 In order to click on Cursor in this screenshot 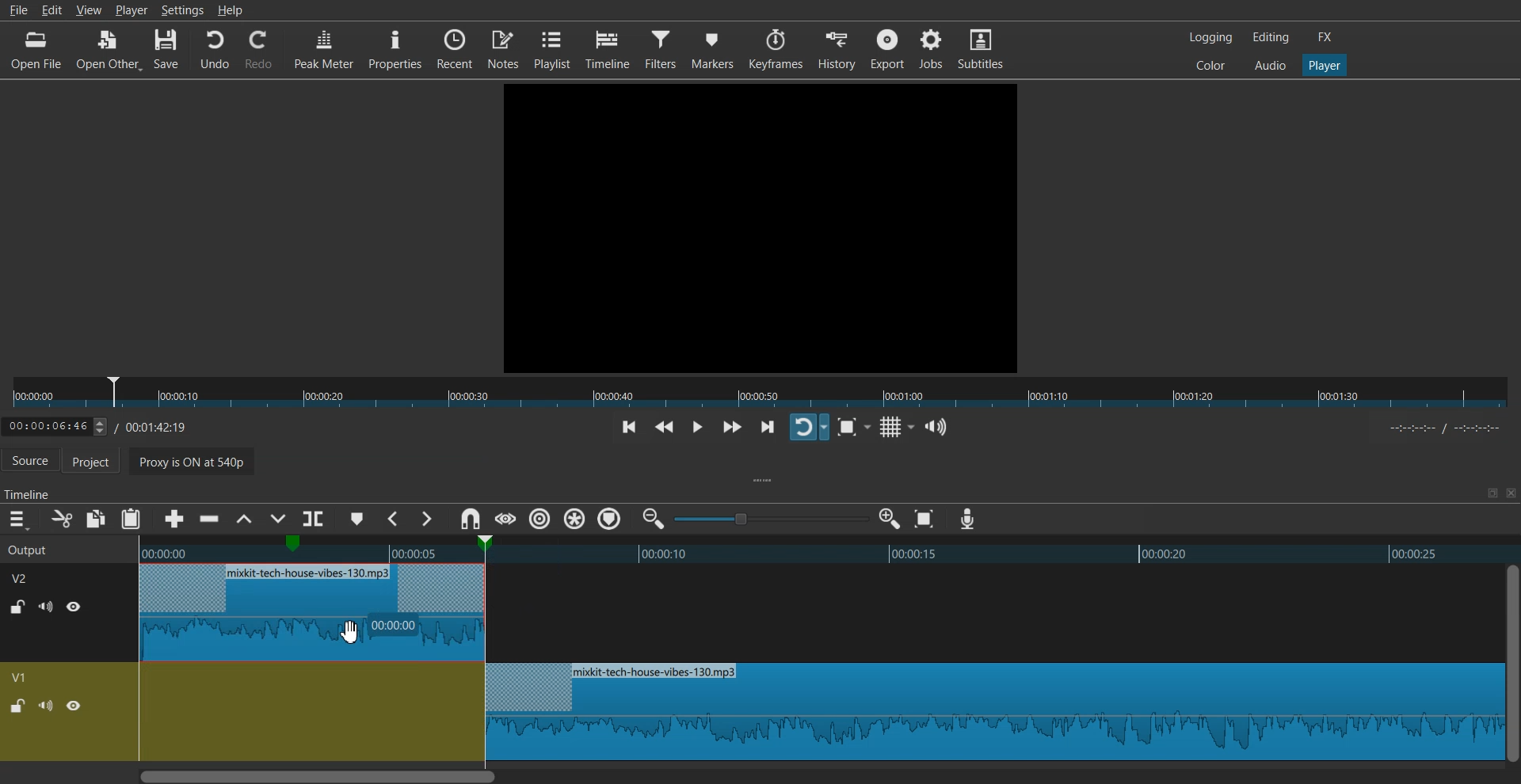, I will do `click(353, 631)`.